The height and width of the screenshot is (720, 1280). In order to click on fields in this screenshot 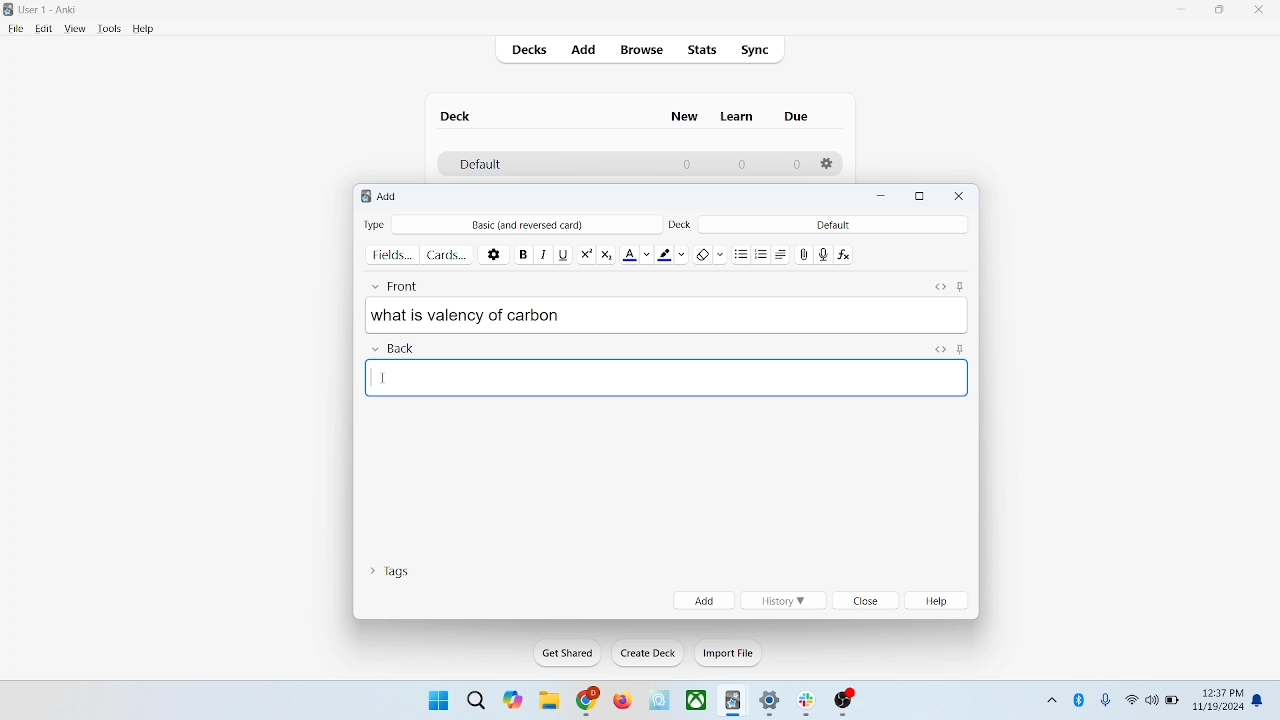, I will do `click(392, 253)`.